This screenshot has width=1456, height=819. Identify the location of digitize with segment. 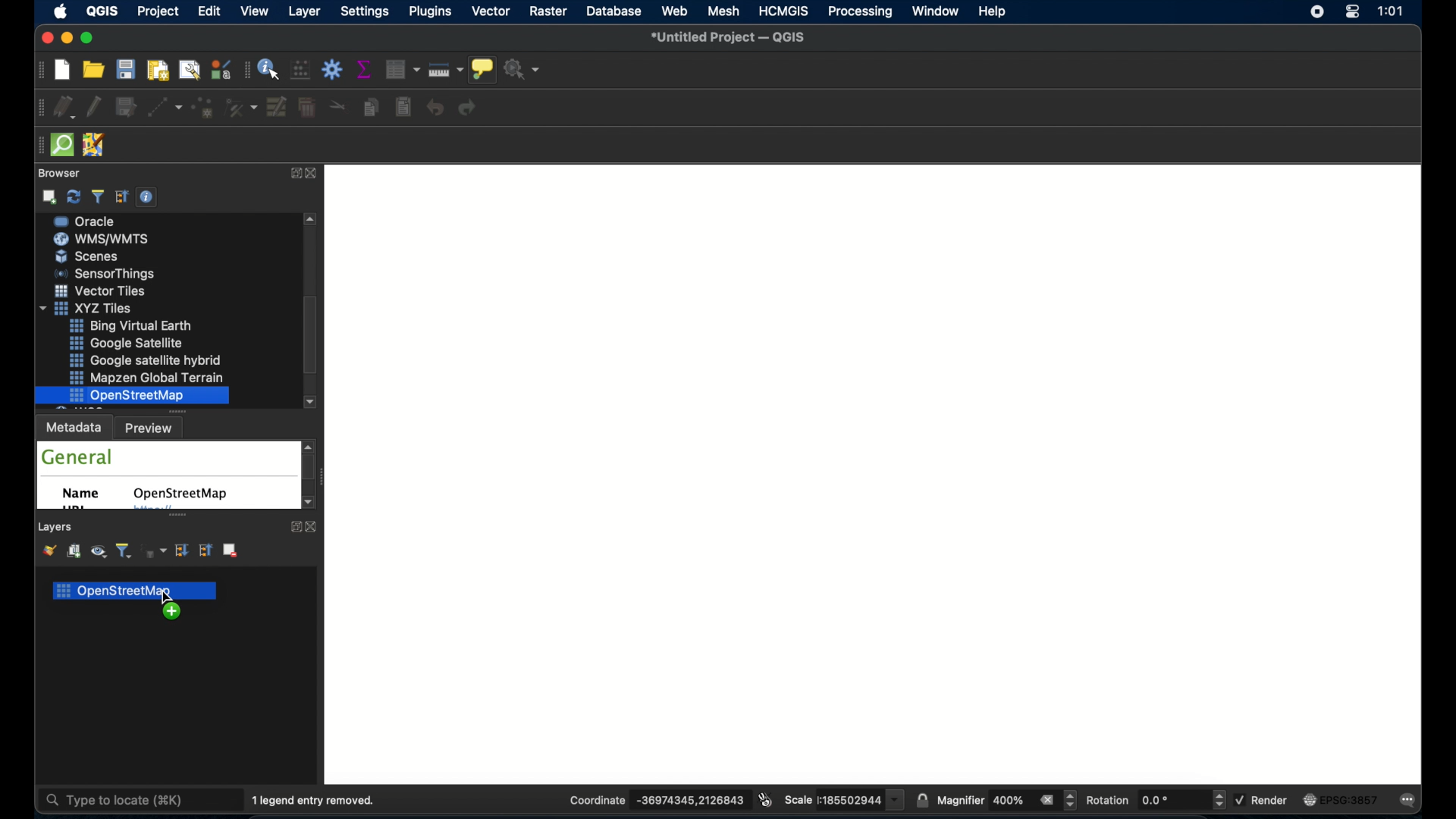
(164, 110).